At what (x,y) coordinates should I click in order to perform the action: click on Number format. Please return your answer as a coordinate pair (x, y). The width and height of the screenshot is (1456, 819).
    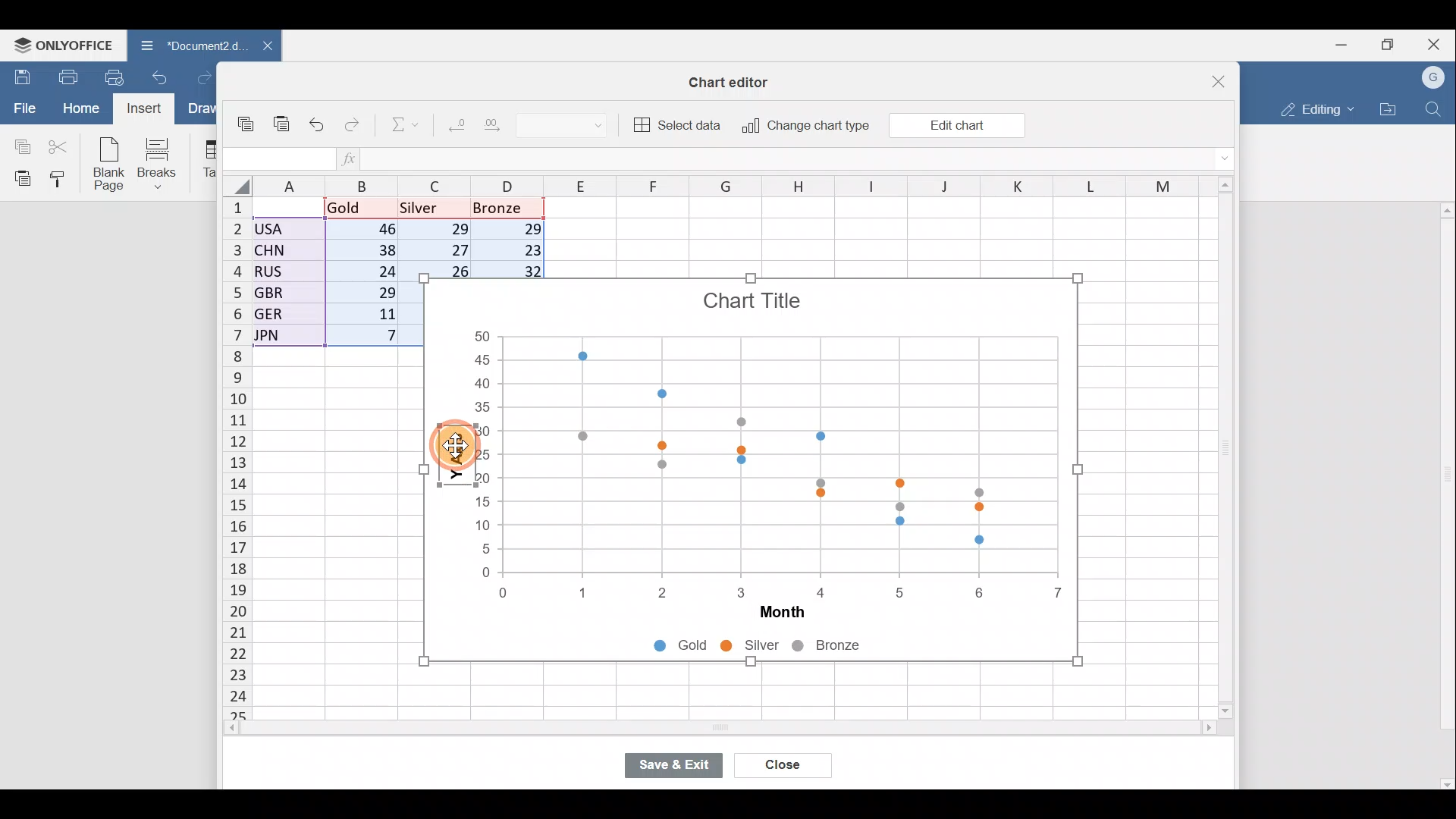
    Looking at the image, I should click on (575, 127).